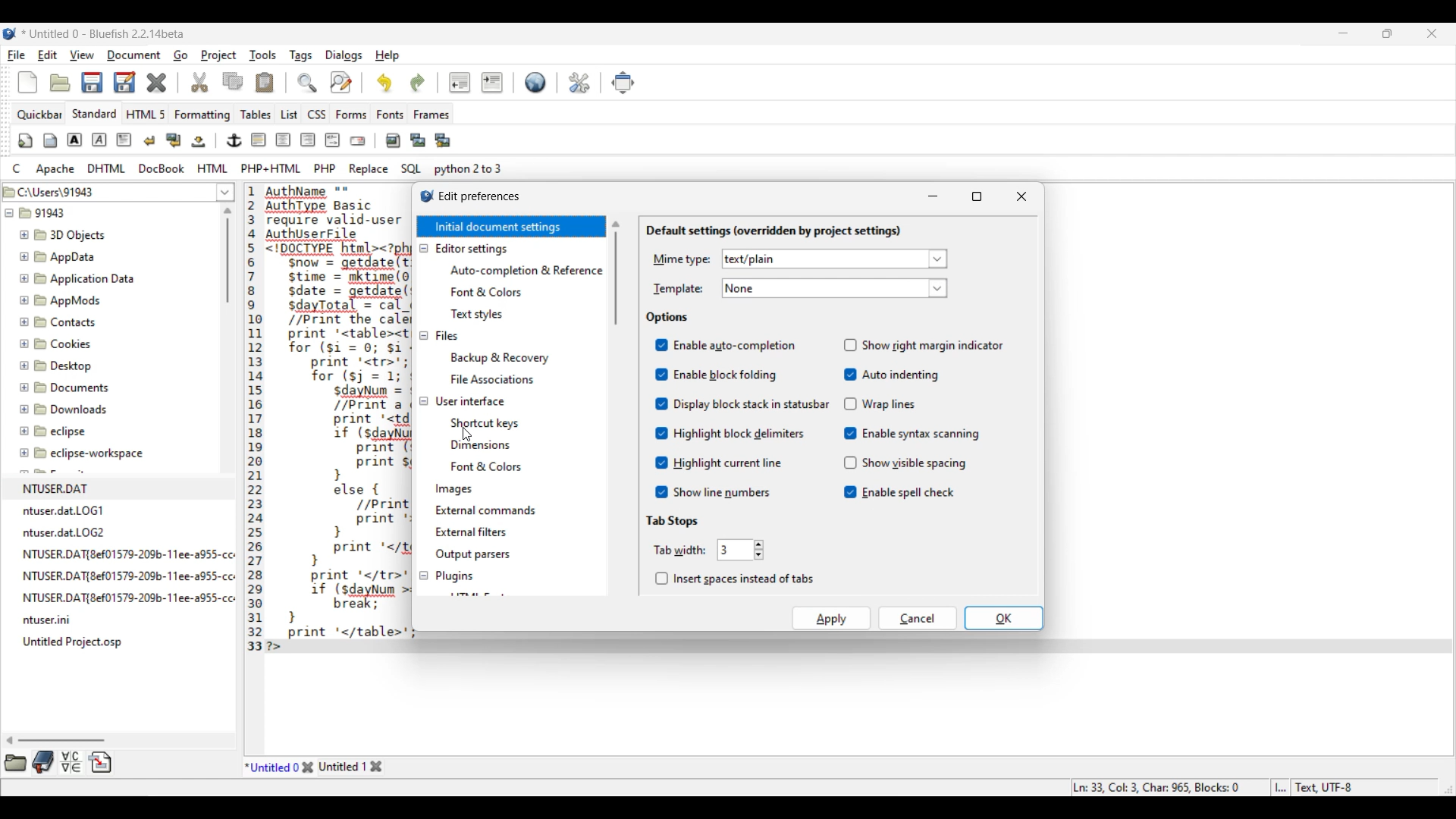 The width and height of the screenshot is (1456, 819). Describe the element at coordinates (476, 83) in the screenshot. I see `Indentation` at that location.